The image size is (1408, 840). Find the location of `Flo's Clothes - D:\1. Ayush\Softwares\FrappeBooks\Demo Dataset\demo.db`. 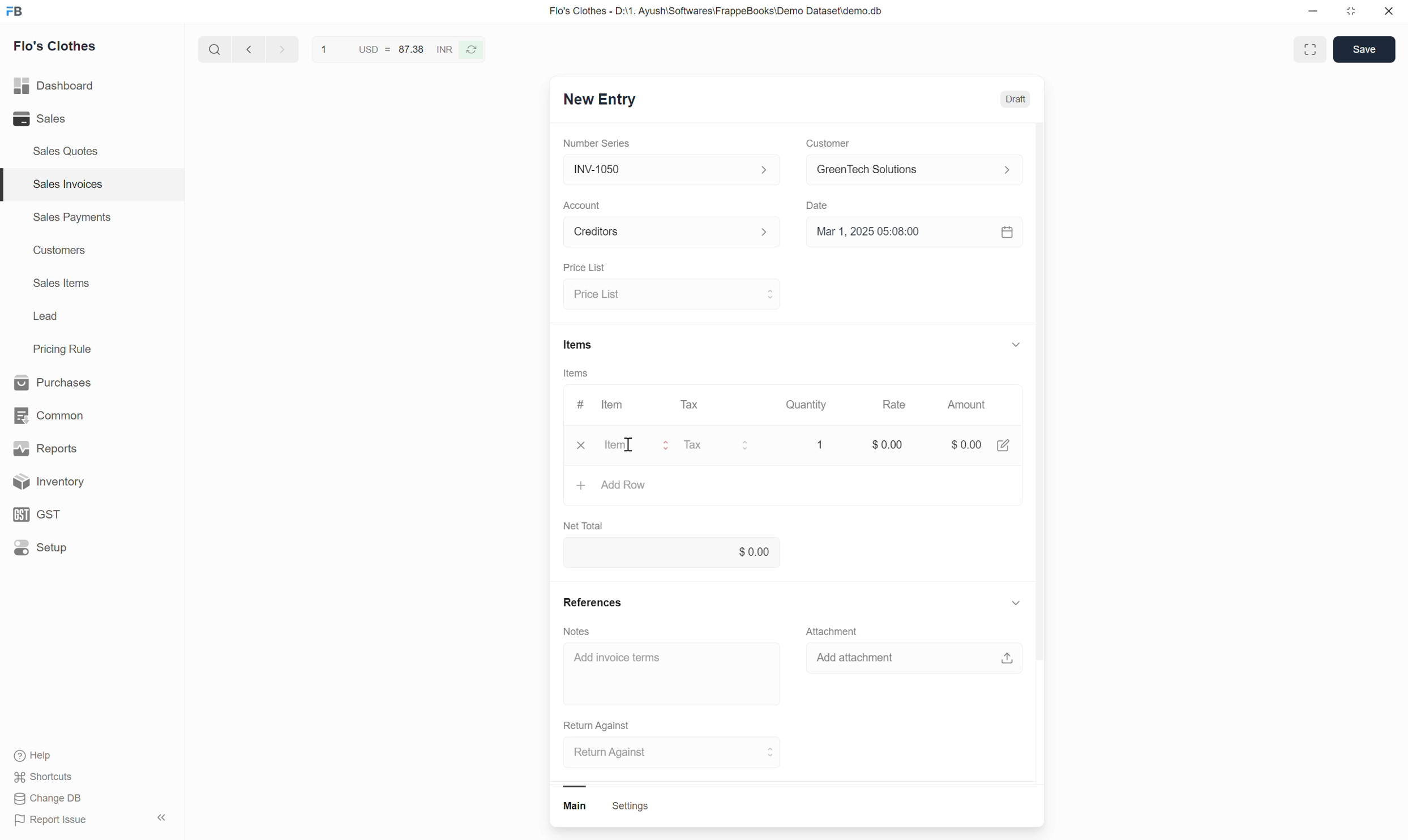

Flo's Clothes - D:\1. Ayush\Softwares\FrappeBooks\Demo Dataset\demo.db is located at coordinates (726, 12).